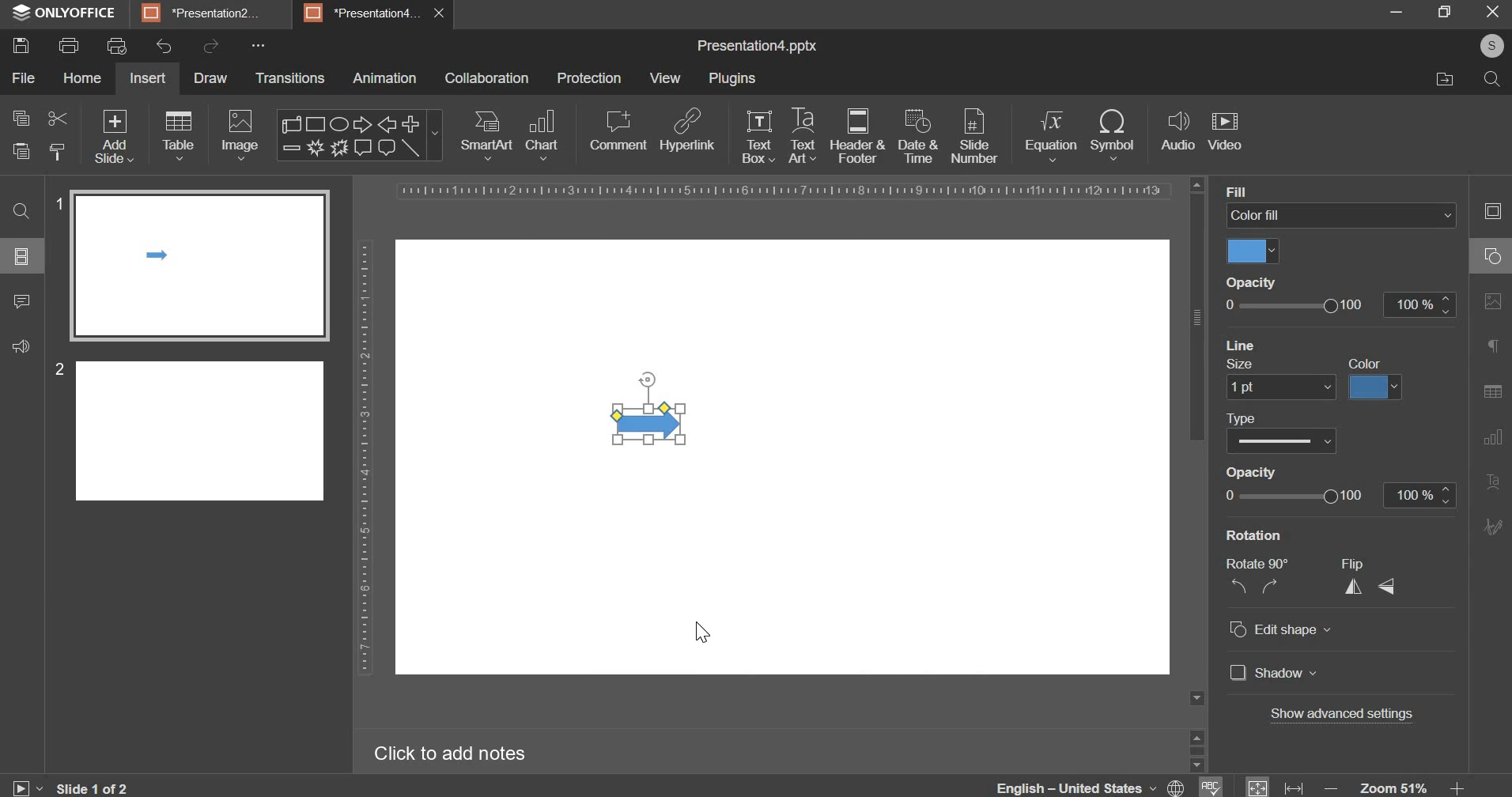 This screenshot has width=1512, height=797. What do you see at coordinates (1249, 253) in the screenshot?
I see `color fill` at bounding box center [1249, 253].